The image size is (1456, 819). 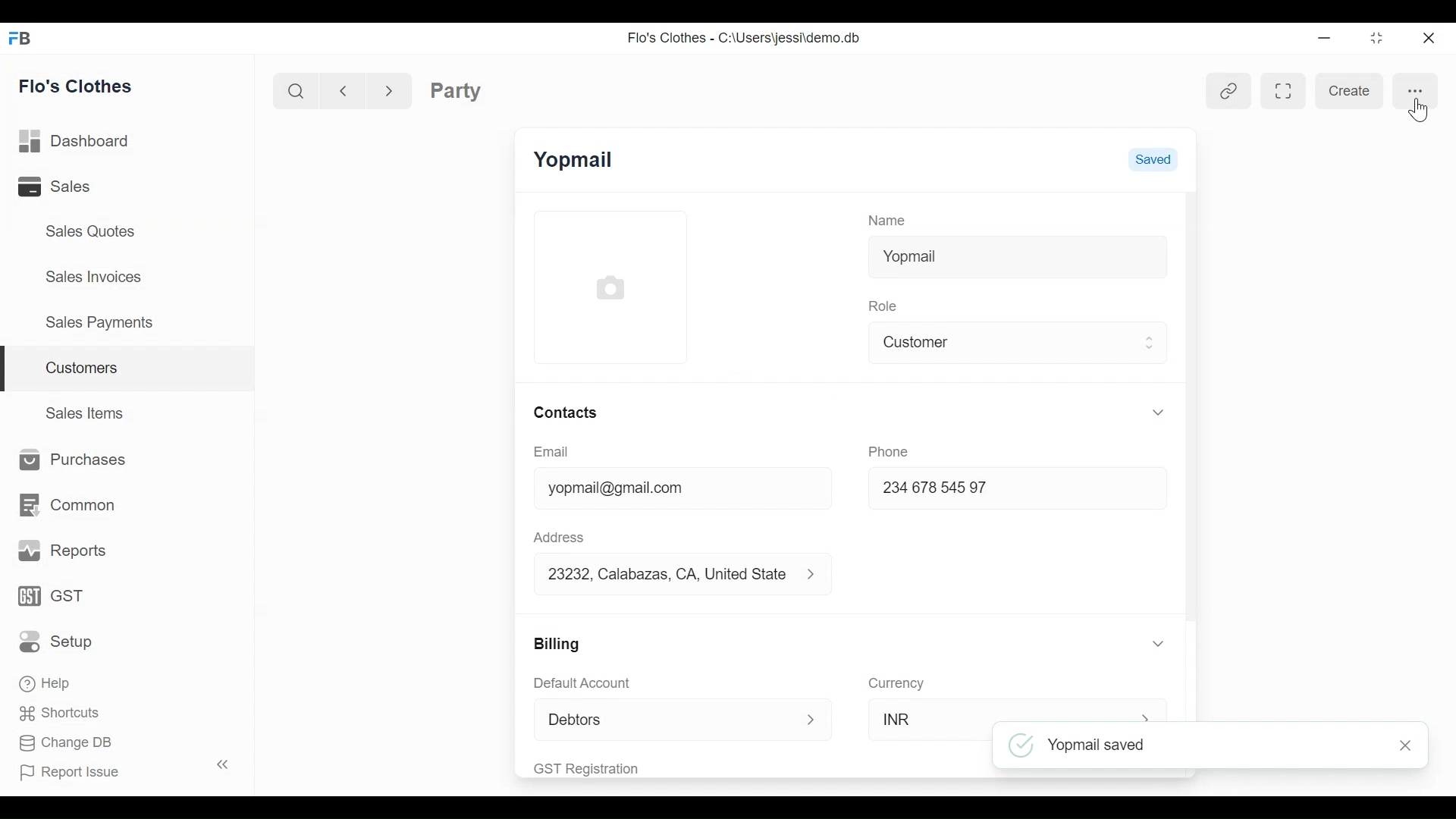 I want to click on more, so click(x=1415, y=91).